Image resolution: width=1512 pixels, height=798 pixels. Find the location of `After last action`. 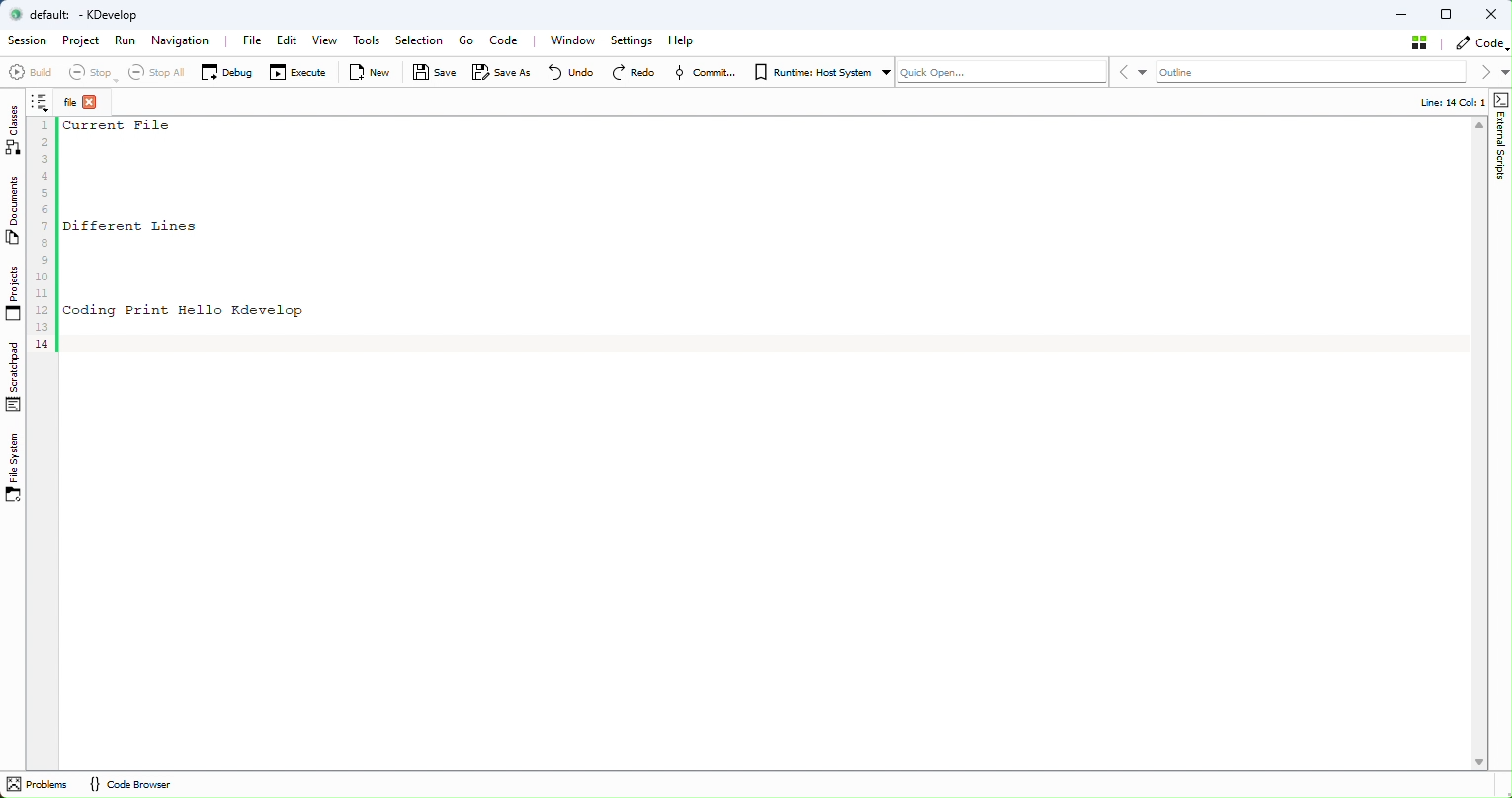

After last action is located at coordinates (46, 234).